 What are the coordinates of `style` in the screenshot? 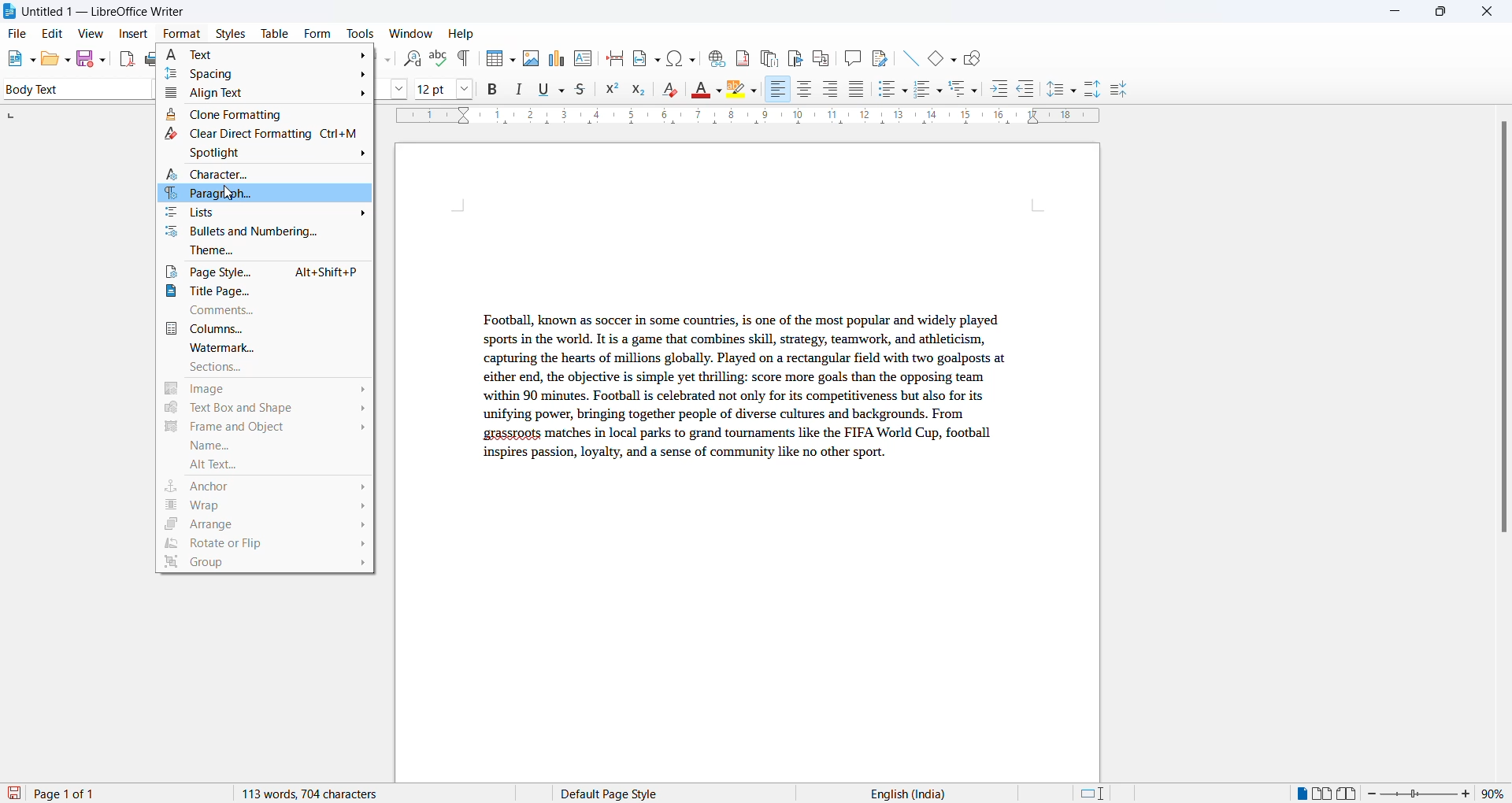 It's located at (72, 88).